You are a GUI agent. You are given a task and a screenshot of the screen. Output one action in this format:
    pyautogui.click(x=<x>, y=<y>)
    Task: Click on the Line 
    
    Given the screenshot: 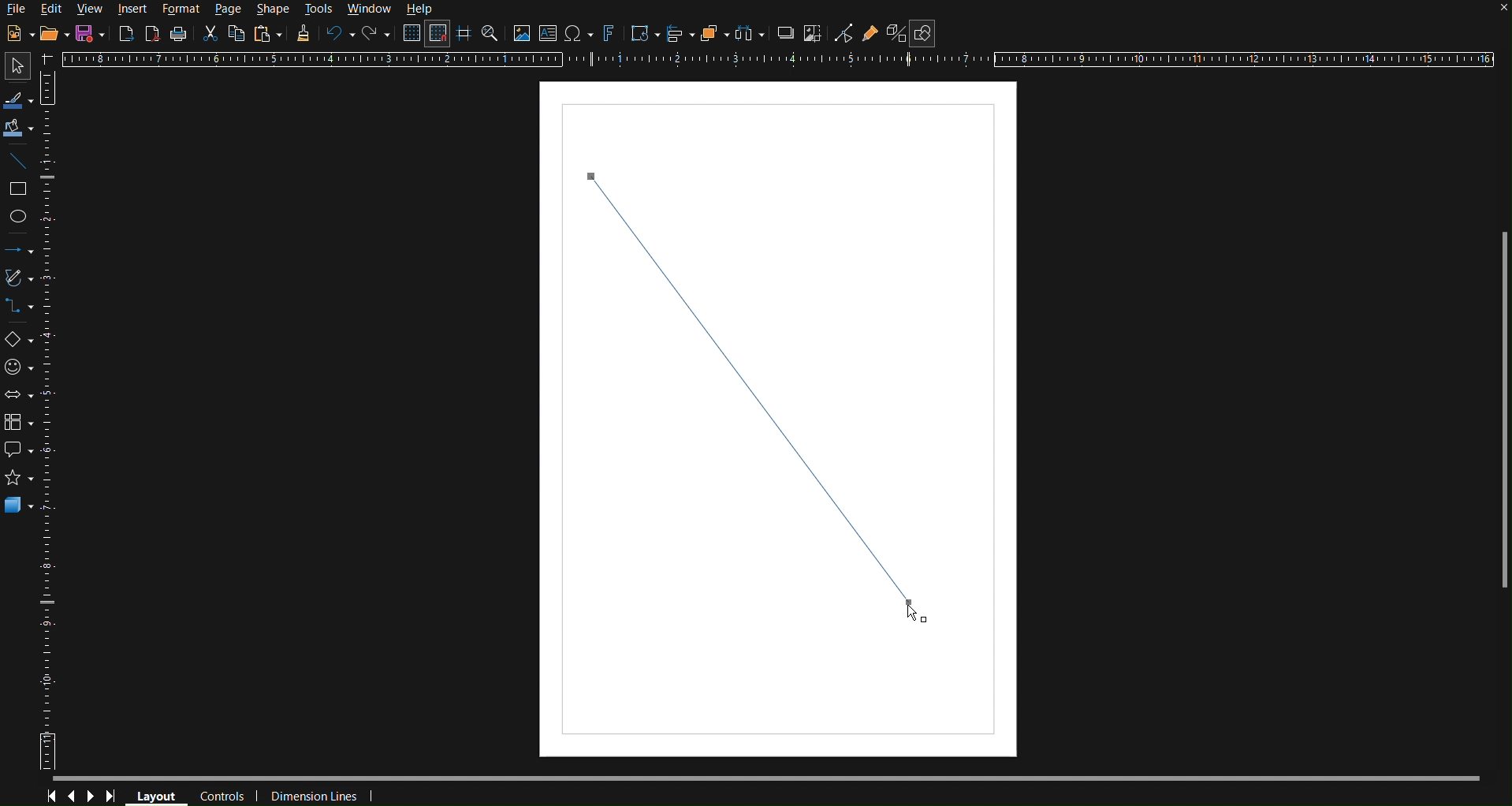 What is the action you would take?
    pyautogui.click(x=18, y=161)
    